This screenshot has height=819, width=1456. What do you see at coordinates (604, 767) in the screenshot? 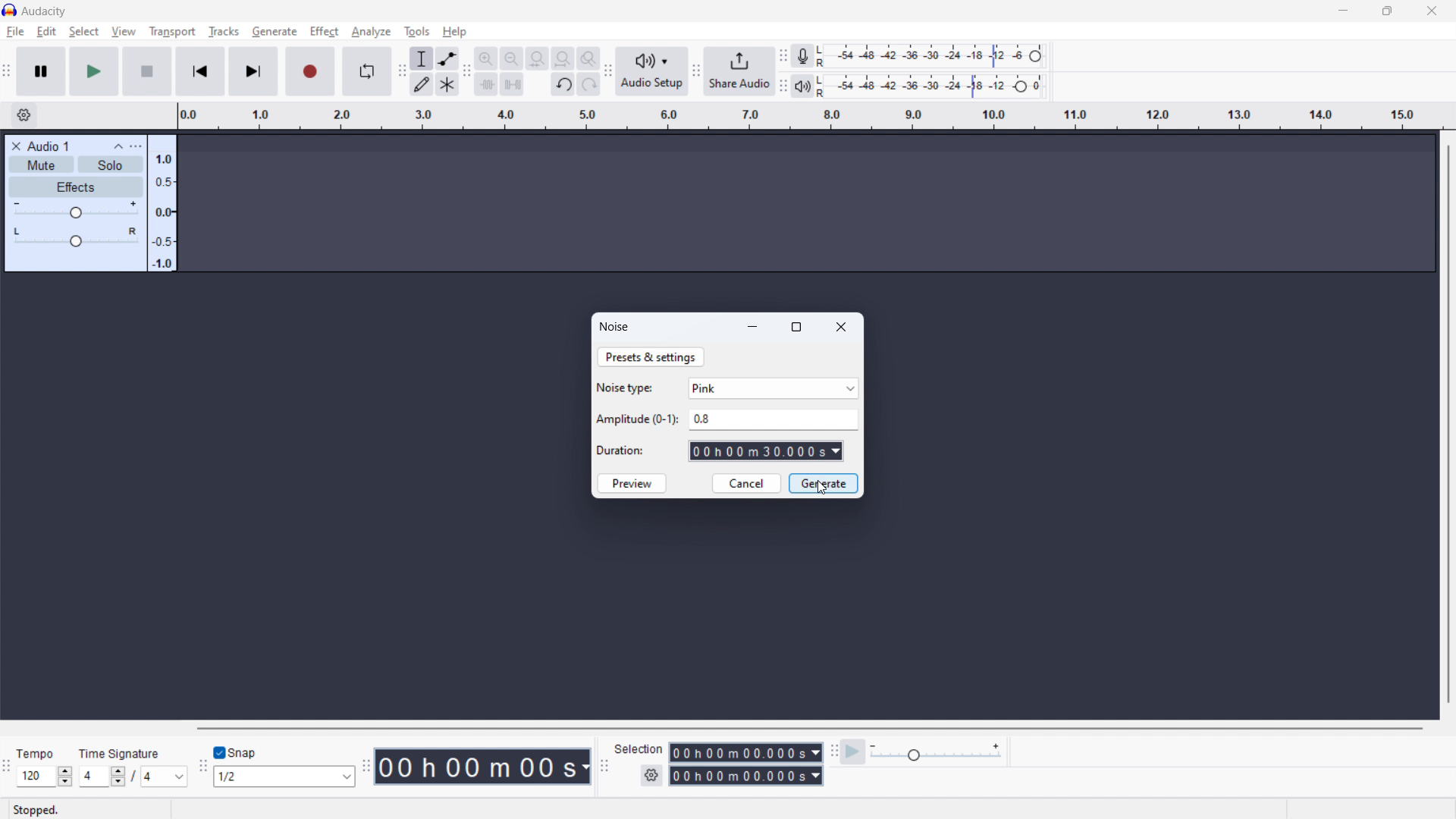
I see `selection toolbar` at bounding box center [604, 767].